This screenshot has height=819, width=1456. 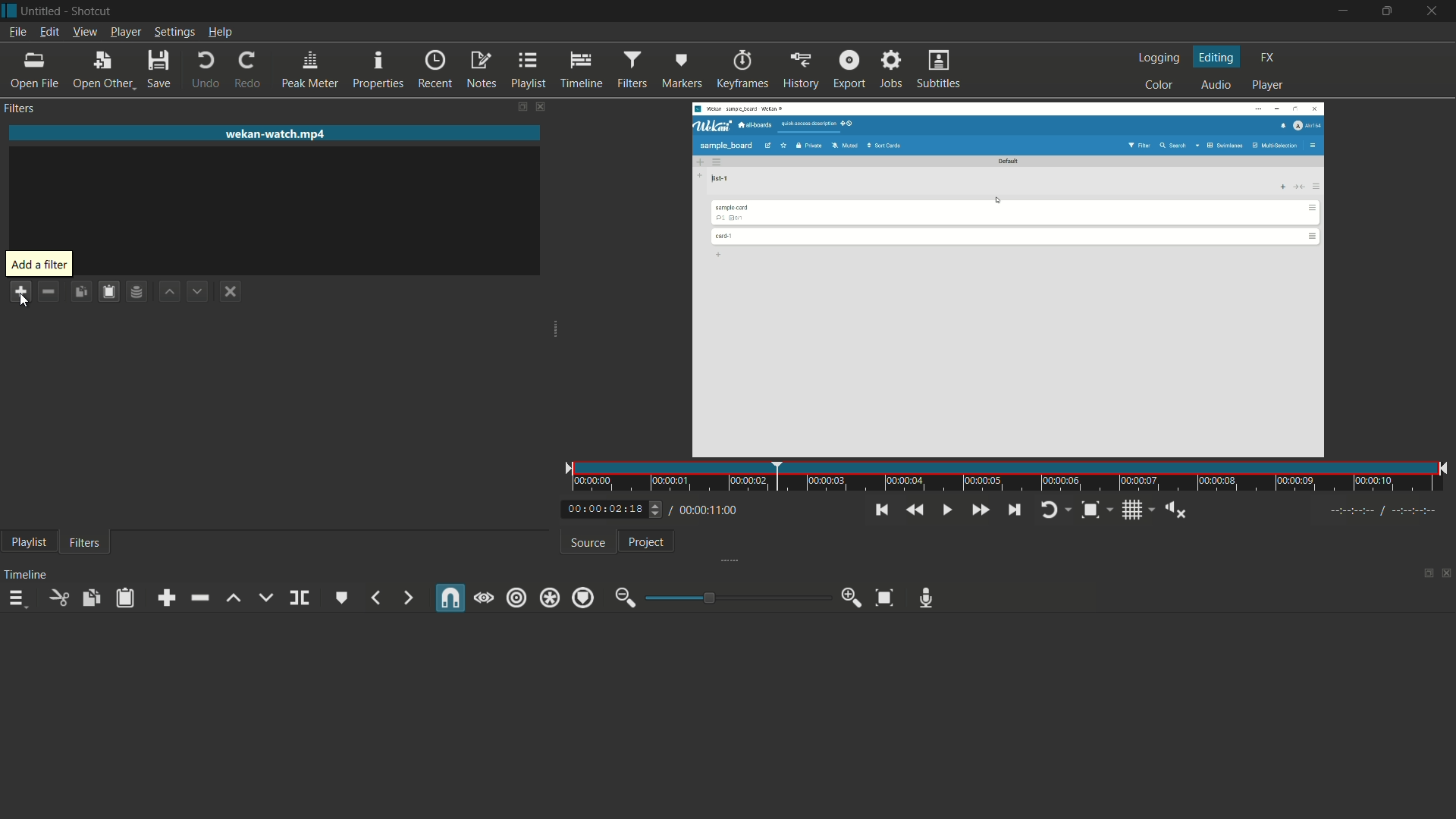 What do you see at coordinates (310, 68) in the screenshot?
I see `peak meter` at bounding box center [310, 68].